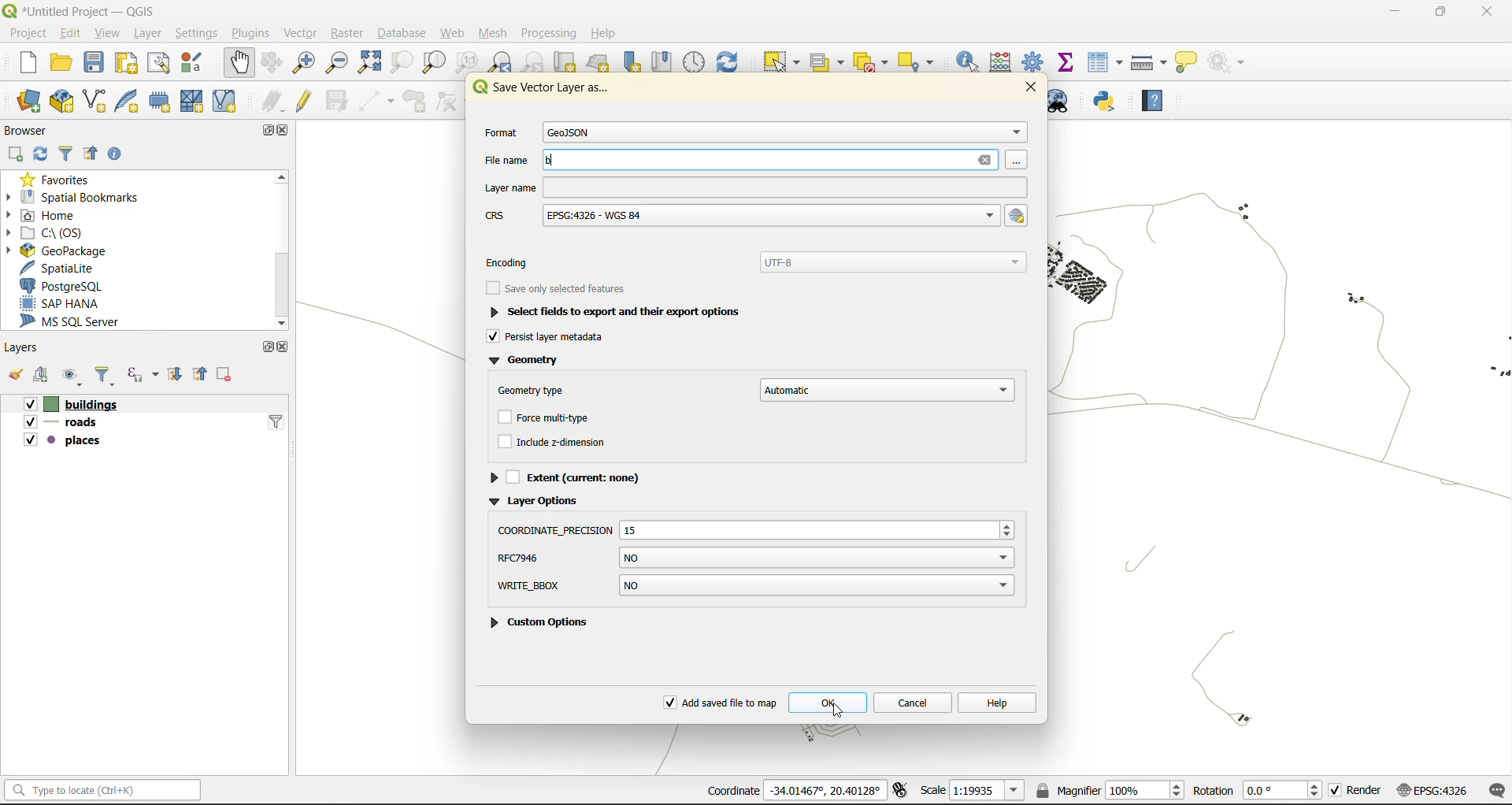 The width and height of the screenshot is (1512, 805). What do you see at coordinates (1435, 789) in the screenshot?
I see `crs` at bounding box center [1435, 789].